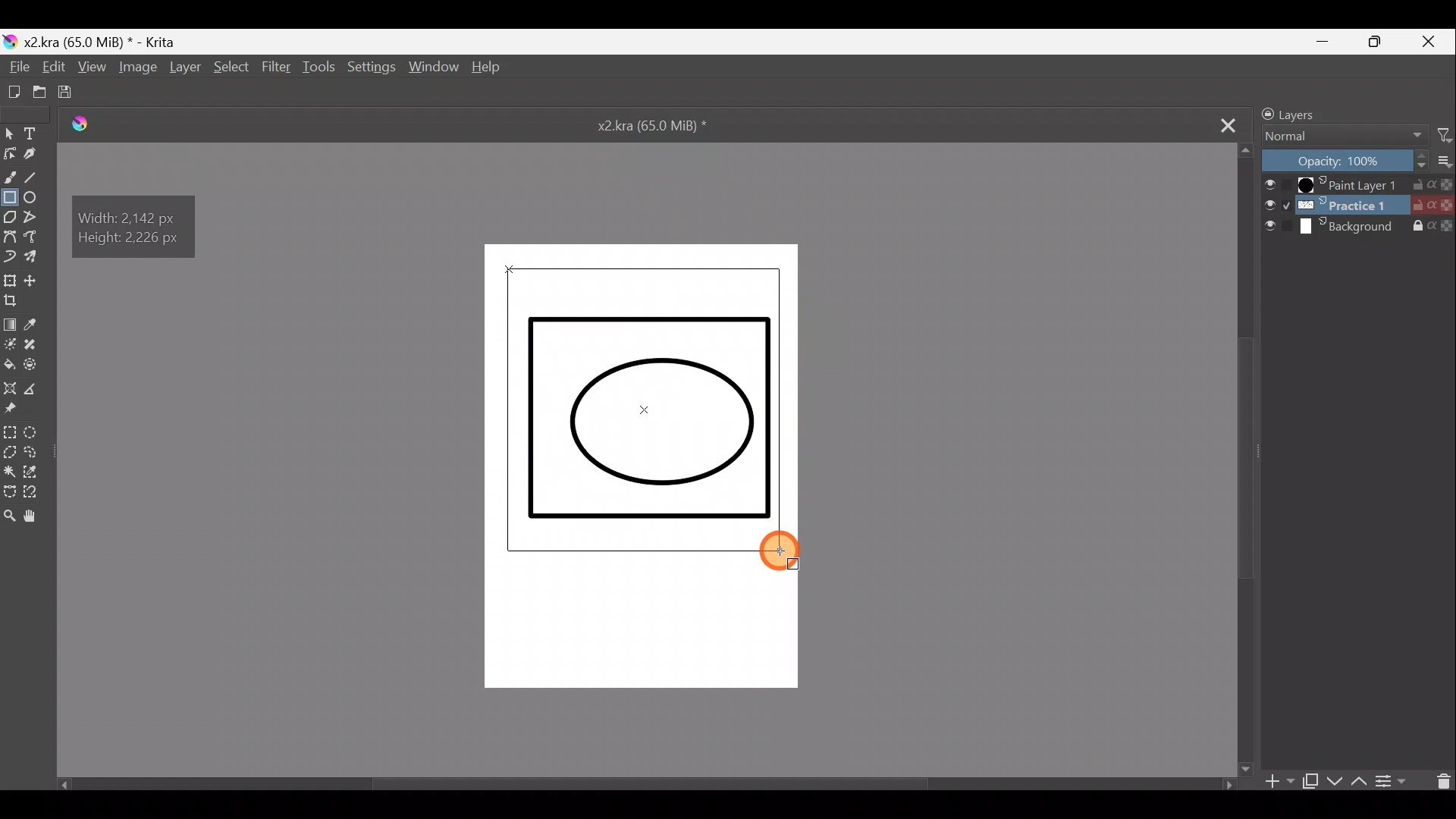 The height and width of the screenshot is (819, 1456). What do you see at coordinates (1395, 781) in the screenshot?
I see `View/change layer properties` at bounding box center [1395, 781].